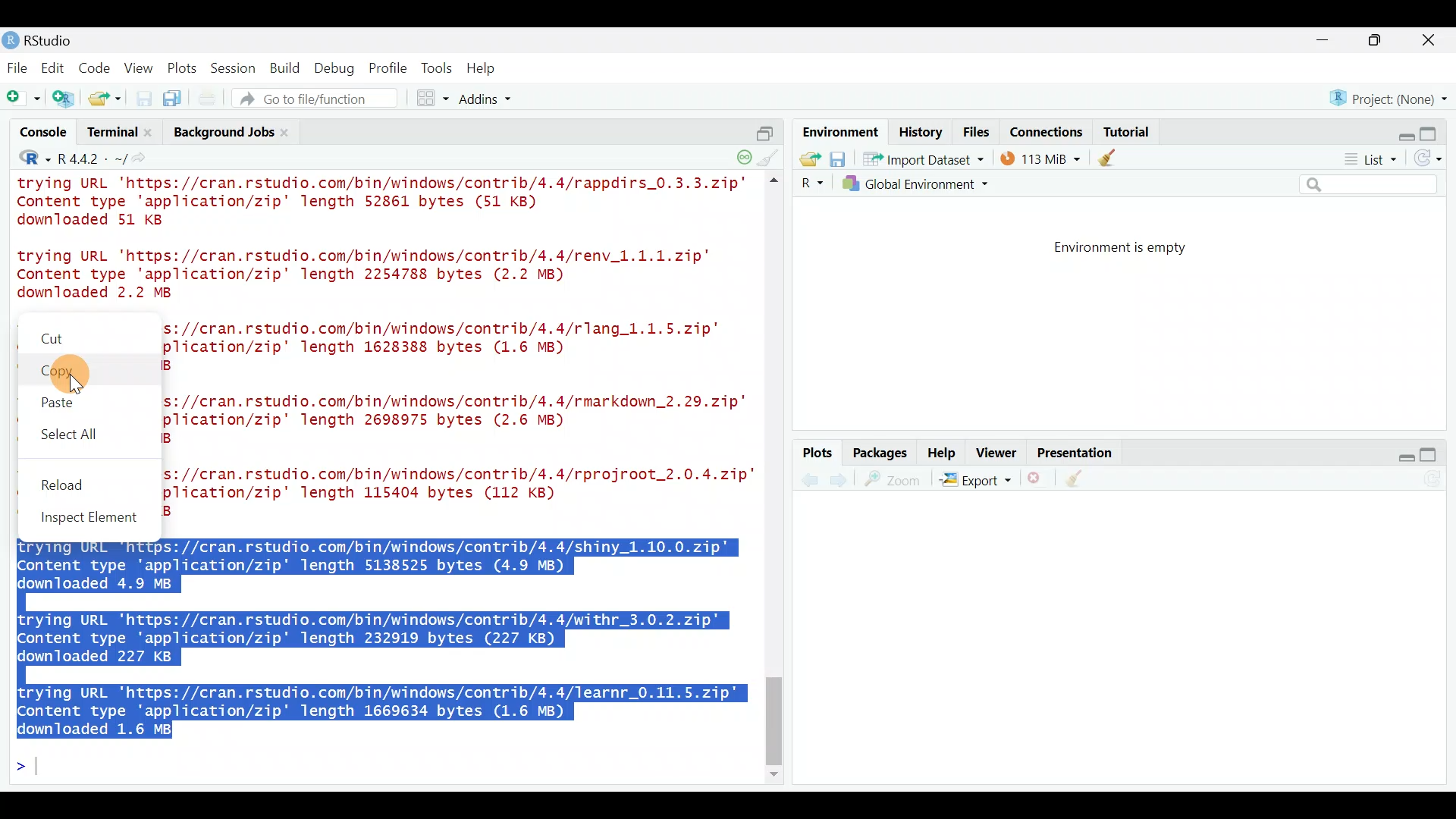 Image resolution: width=1456 pixels, height=819 pixels. I want to click on Close background jobs, so click(293, 132).